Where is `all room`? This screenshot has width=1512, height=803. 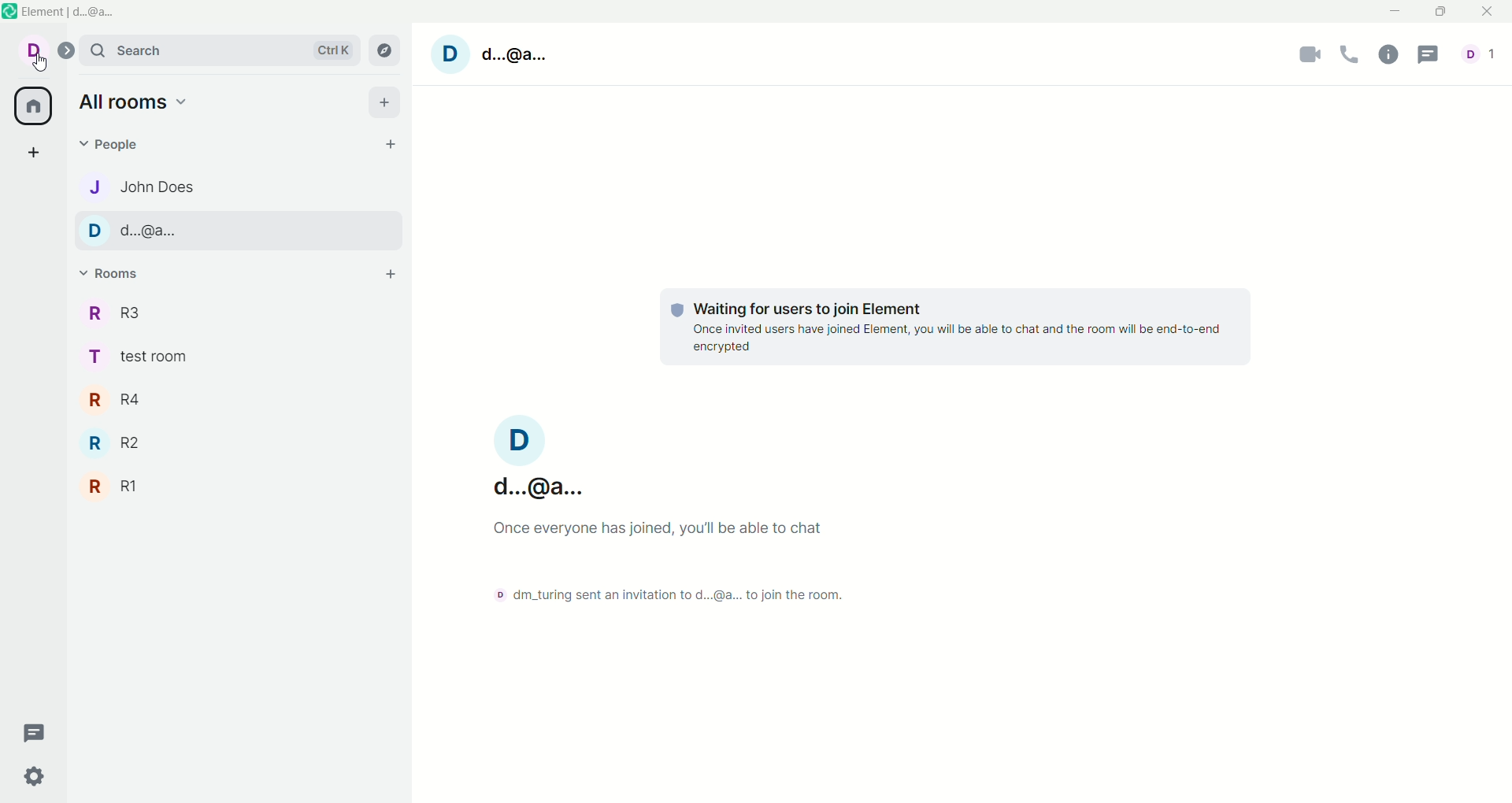
all room is located at coordinates (31, 107).